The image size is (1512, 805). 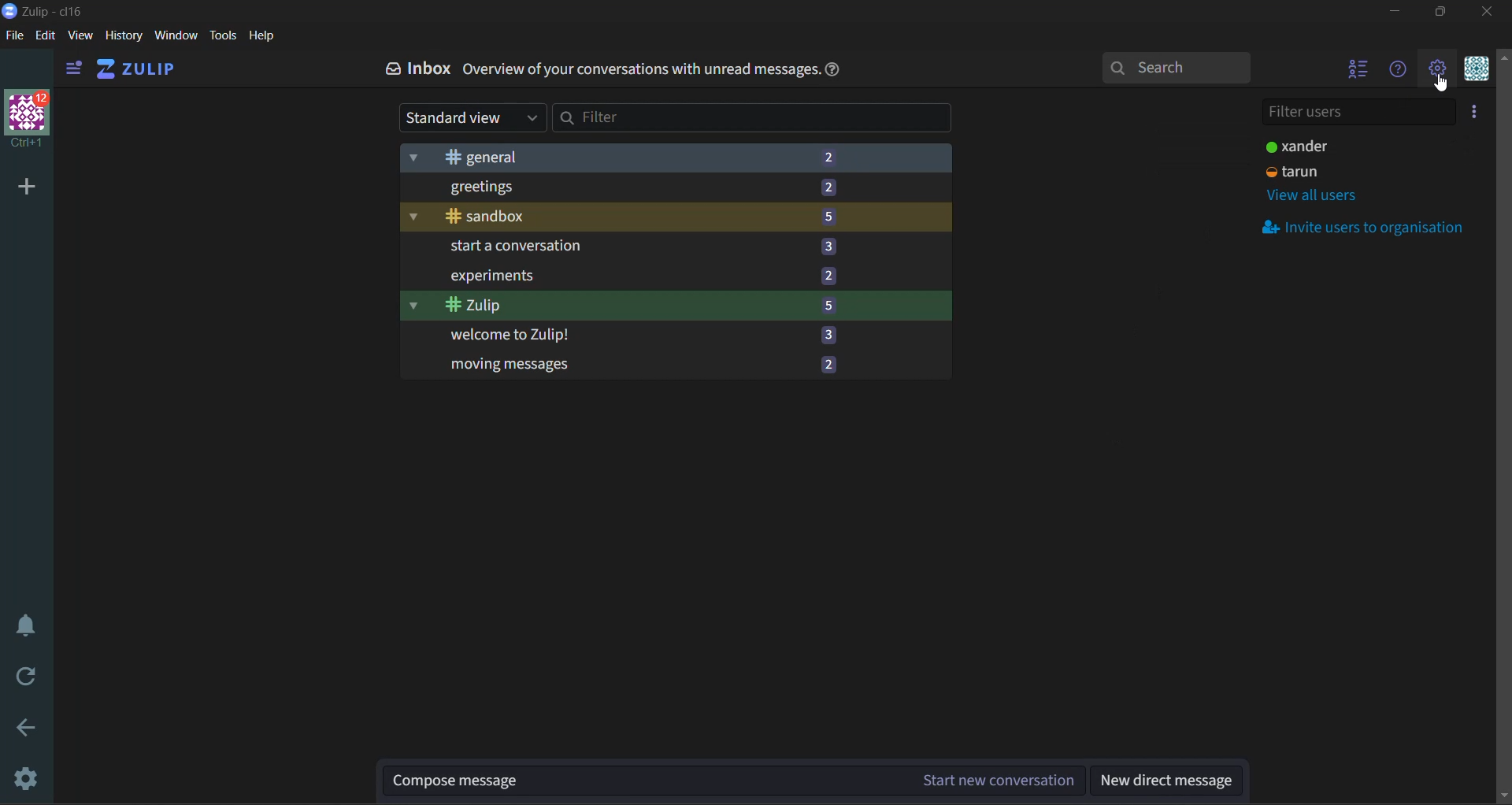 I want to click on history, so click(x=123, y=39).